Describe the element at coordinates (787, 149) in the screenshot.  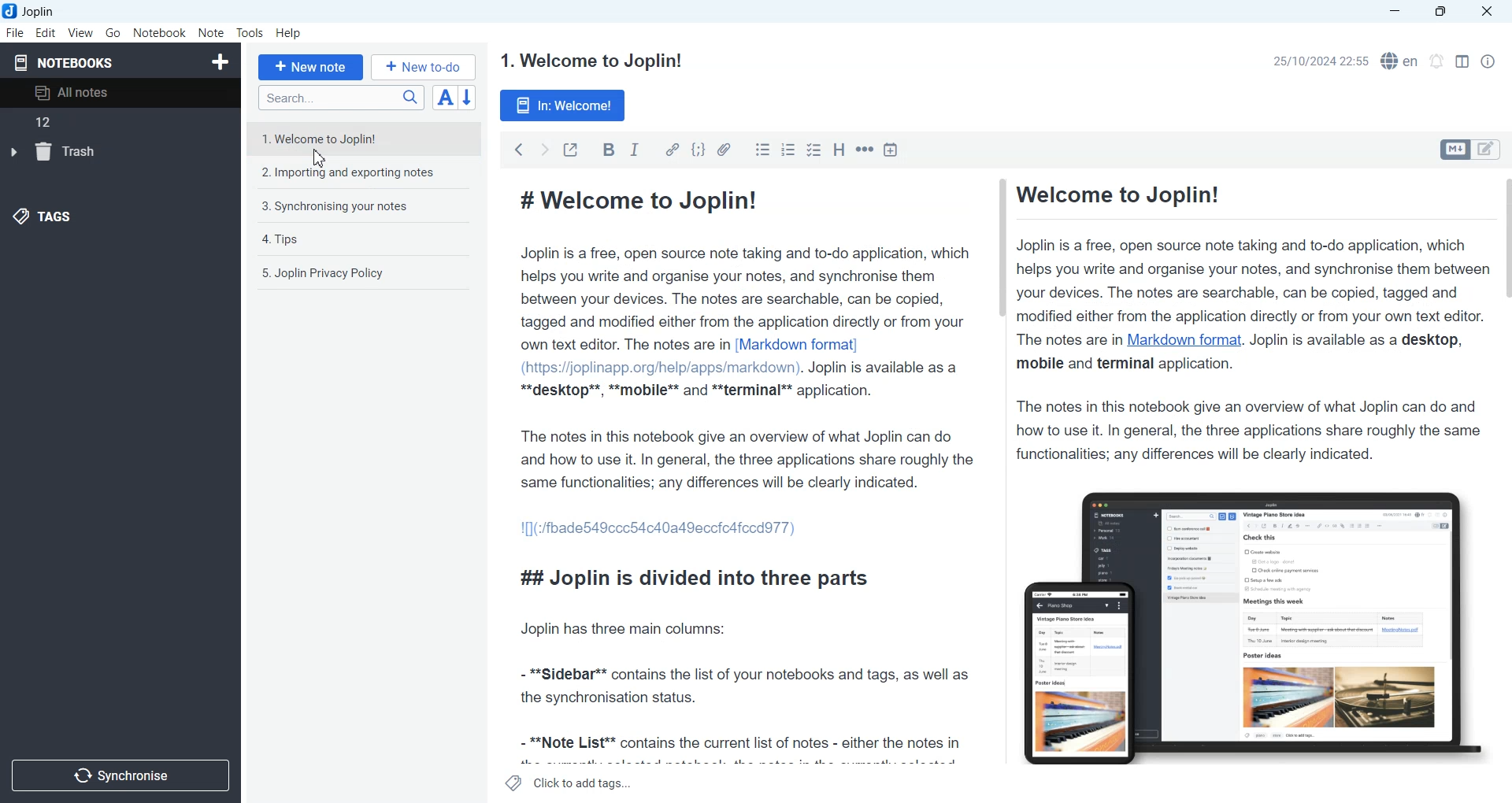
I see `Numbered list` at that location.